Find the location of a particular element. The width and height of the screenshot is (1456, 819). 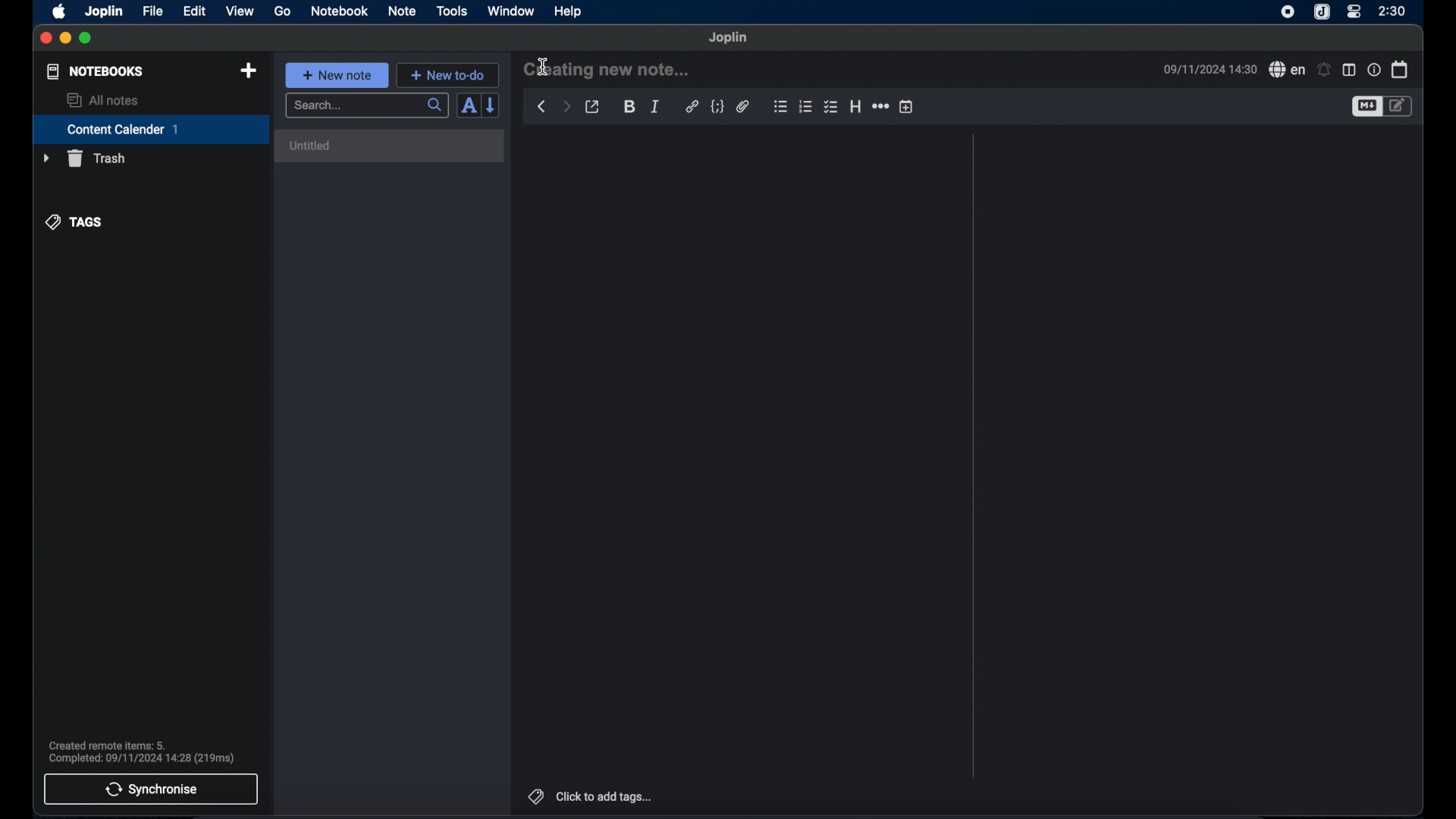

tools is located at coordinates (451, 11).